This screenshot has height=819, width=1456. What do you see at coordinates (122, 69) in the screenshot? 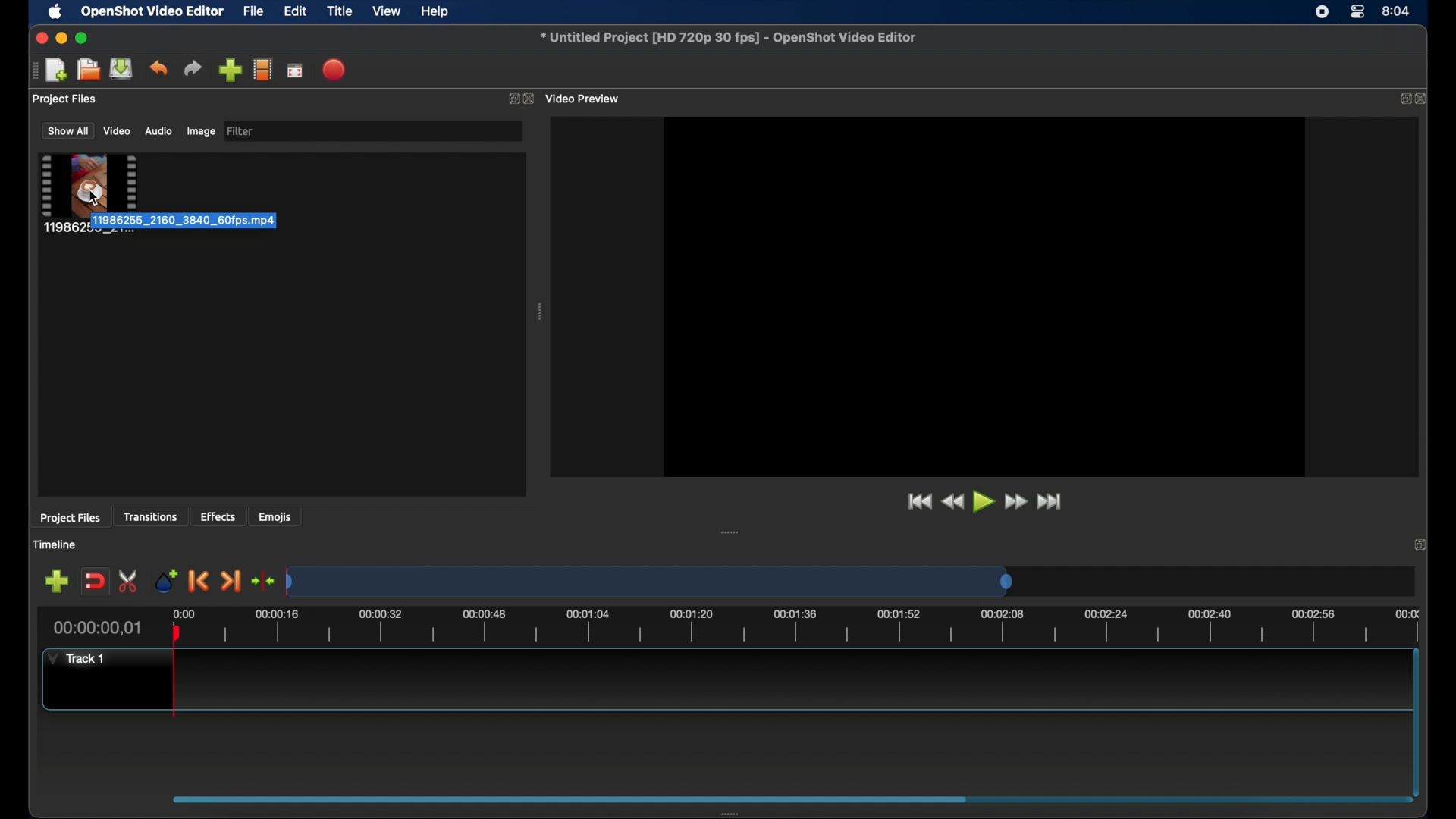
I see `save project` at bounding box center [122, 69].